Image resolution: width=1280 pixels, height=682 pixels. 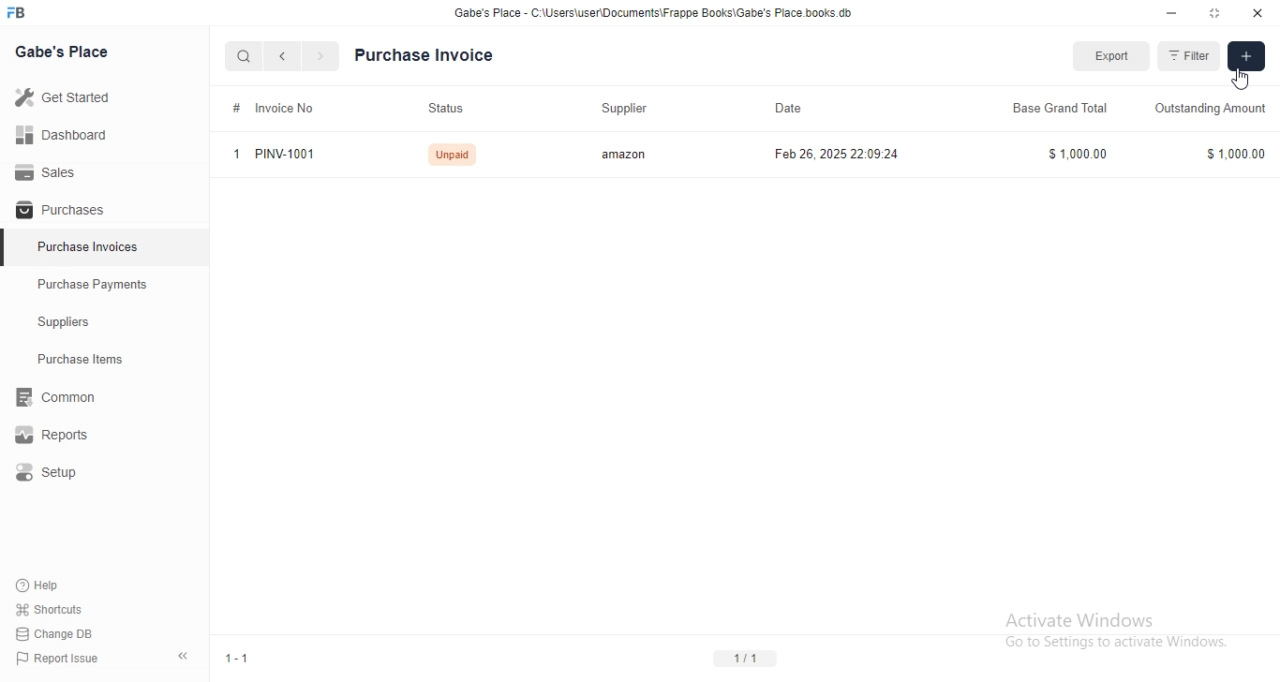 I want to click on Filter, so click(x=1187, y=56).